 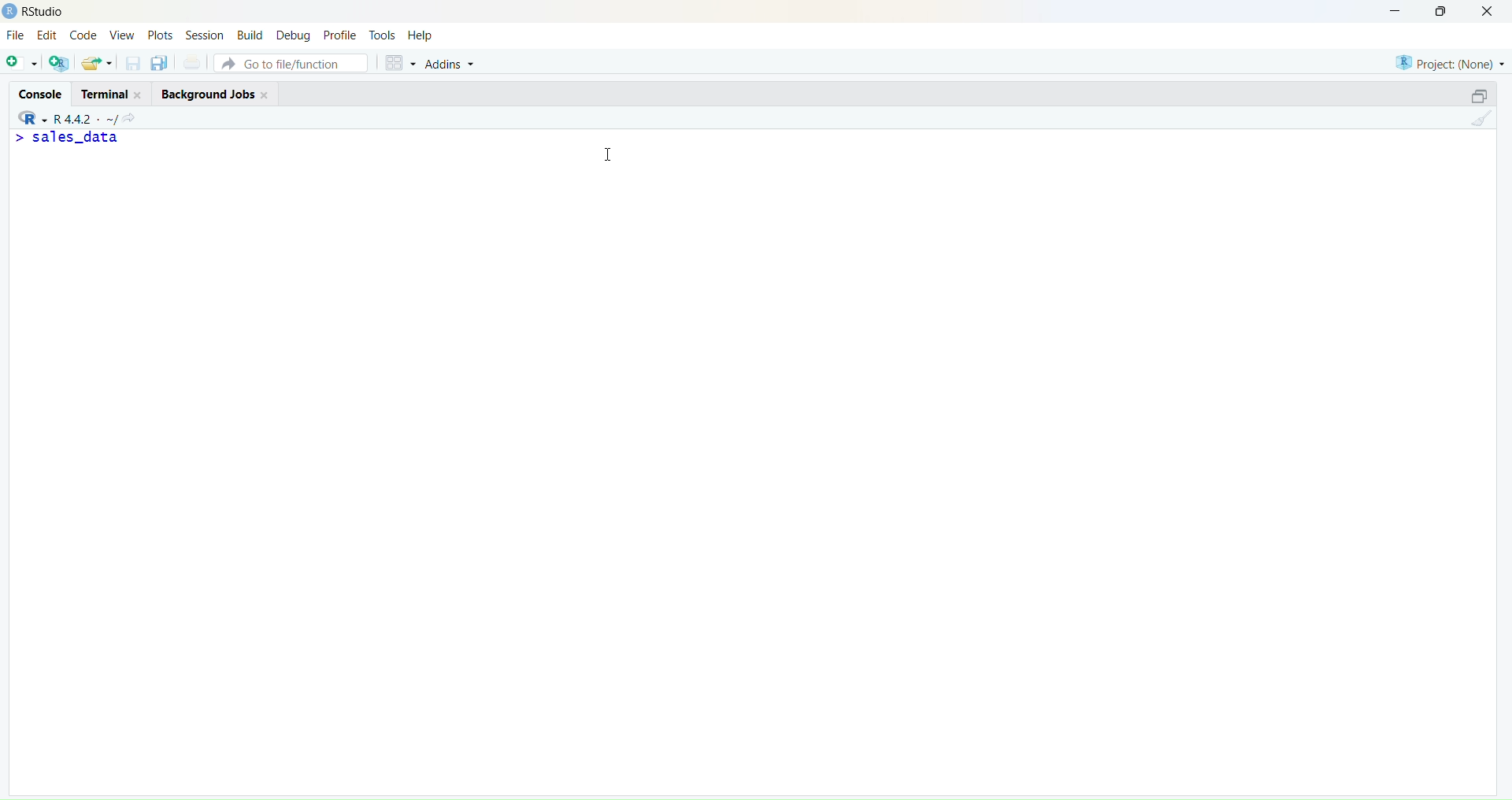 I want to click on tools, so click(x=382, y=35).